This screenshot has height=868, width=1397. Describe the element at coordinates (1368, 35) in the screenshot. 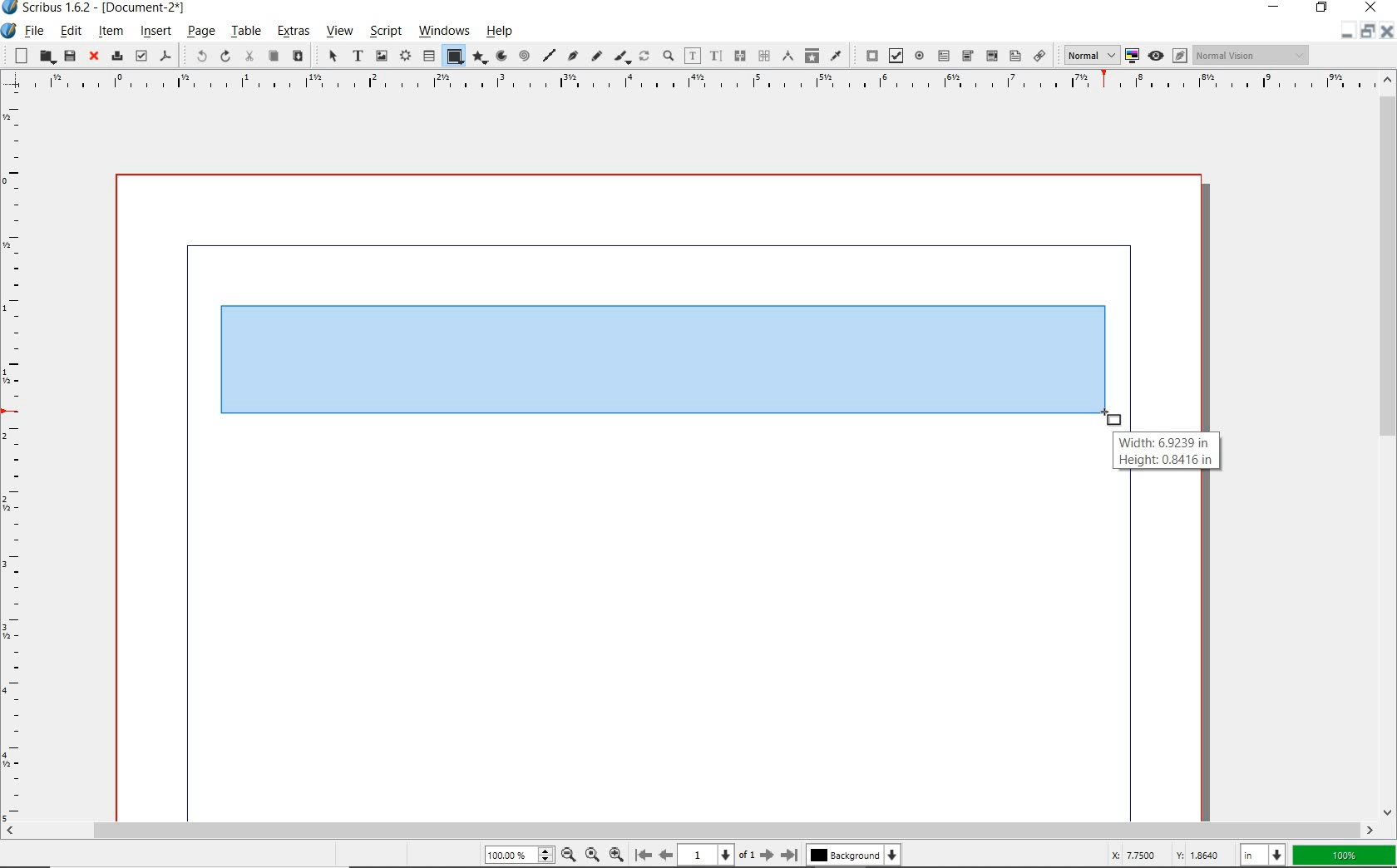

I see `restore` at that location.